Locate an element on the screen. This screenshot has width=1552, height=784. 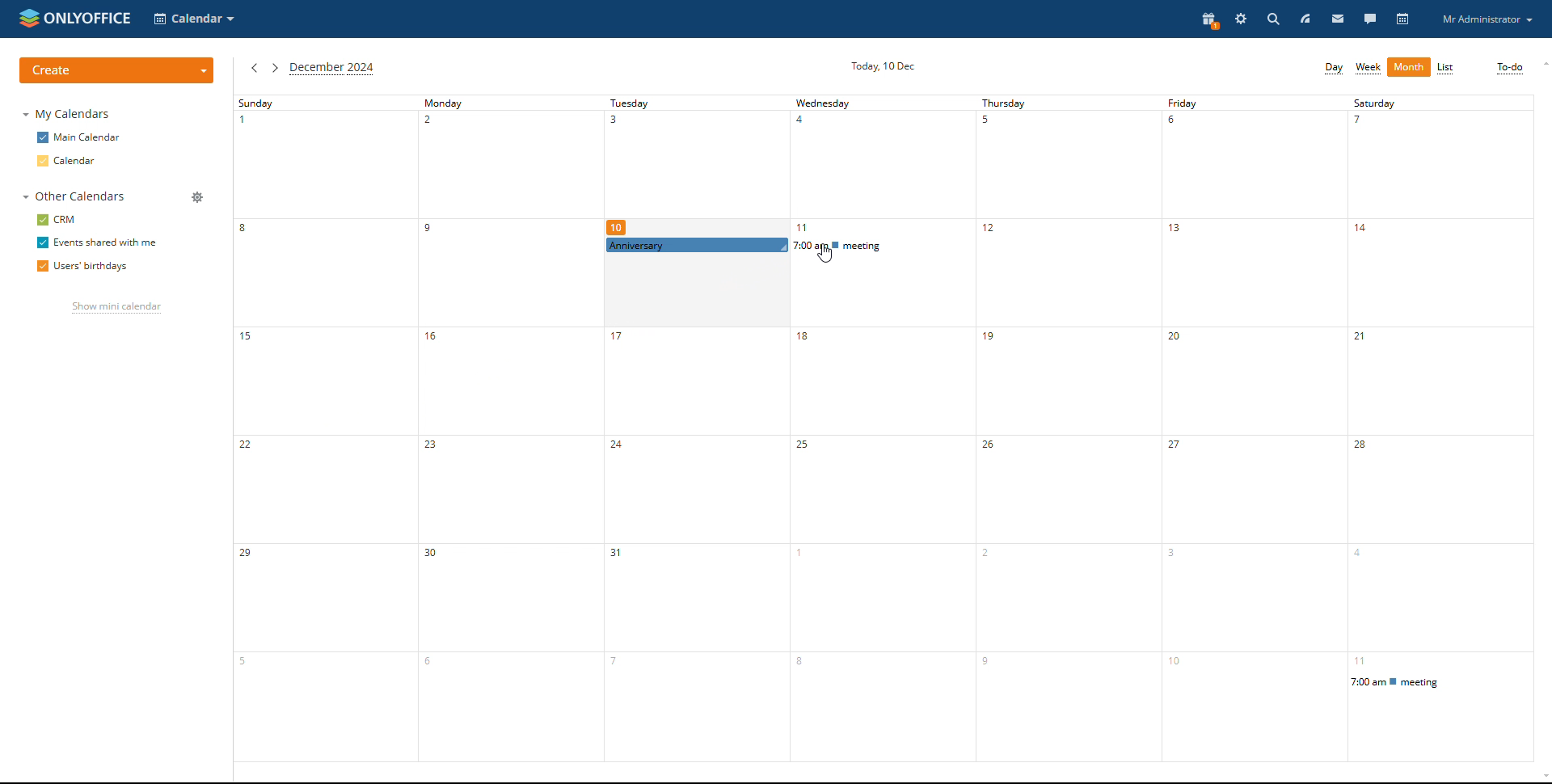
create is located at coordinates (118, 69).